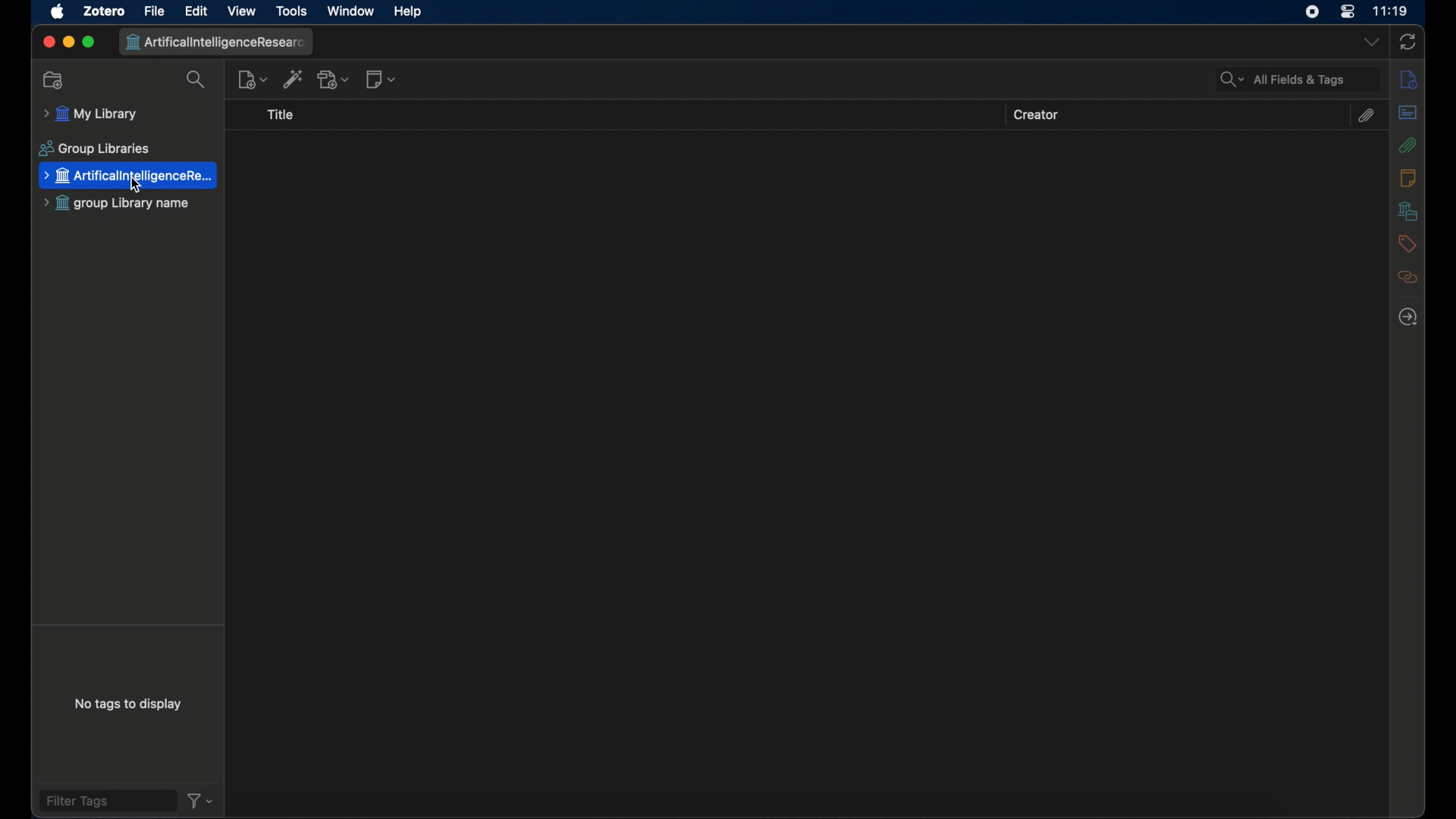 Image resolution: width=1456 pixels, height=819 pixels. Describe the element at coordinates (47, 43) in the screenshot. I see `close` at that location.